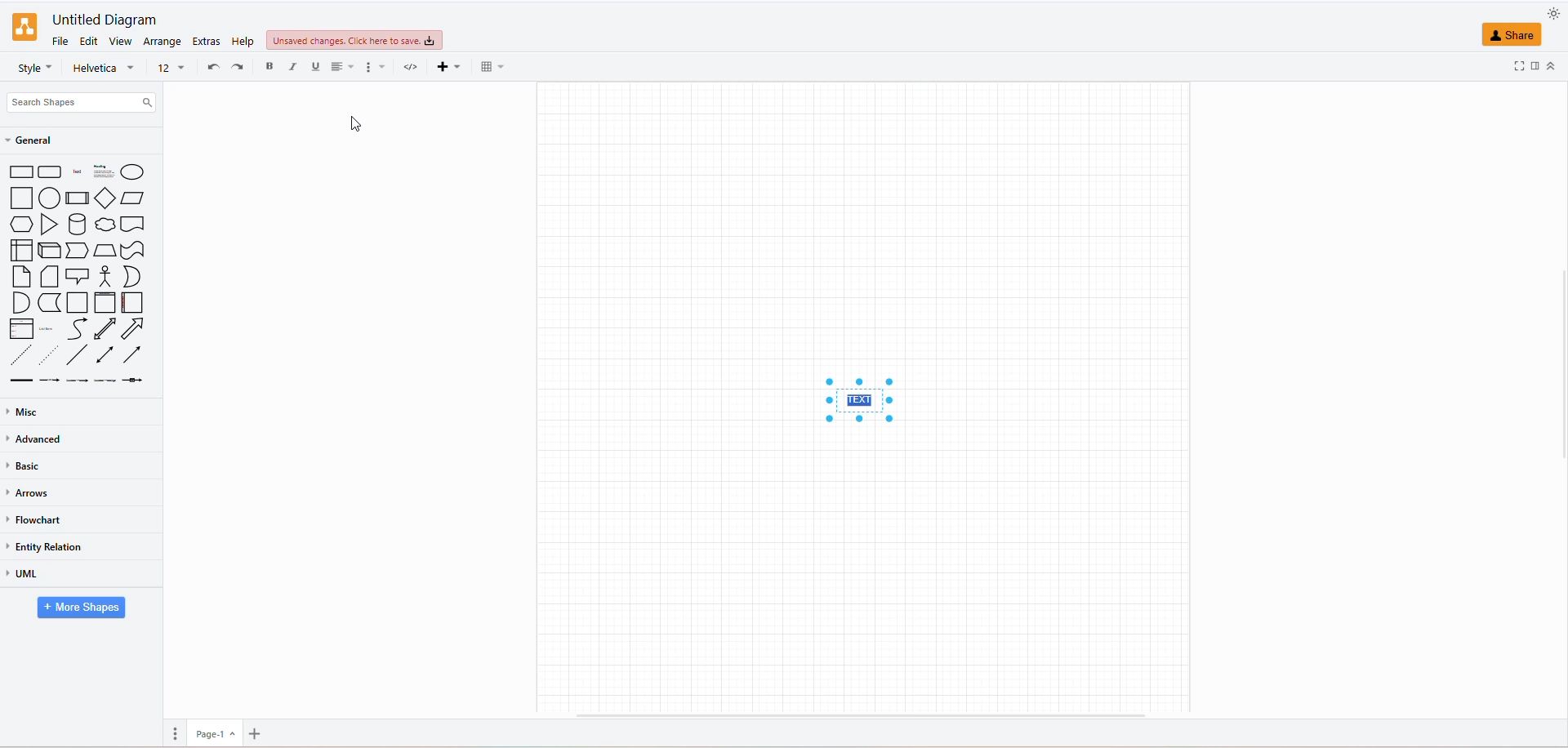 This screenshot has height=748, width=1568. I want to click on font size, so click(168, 66).